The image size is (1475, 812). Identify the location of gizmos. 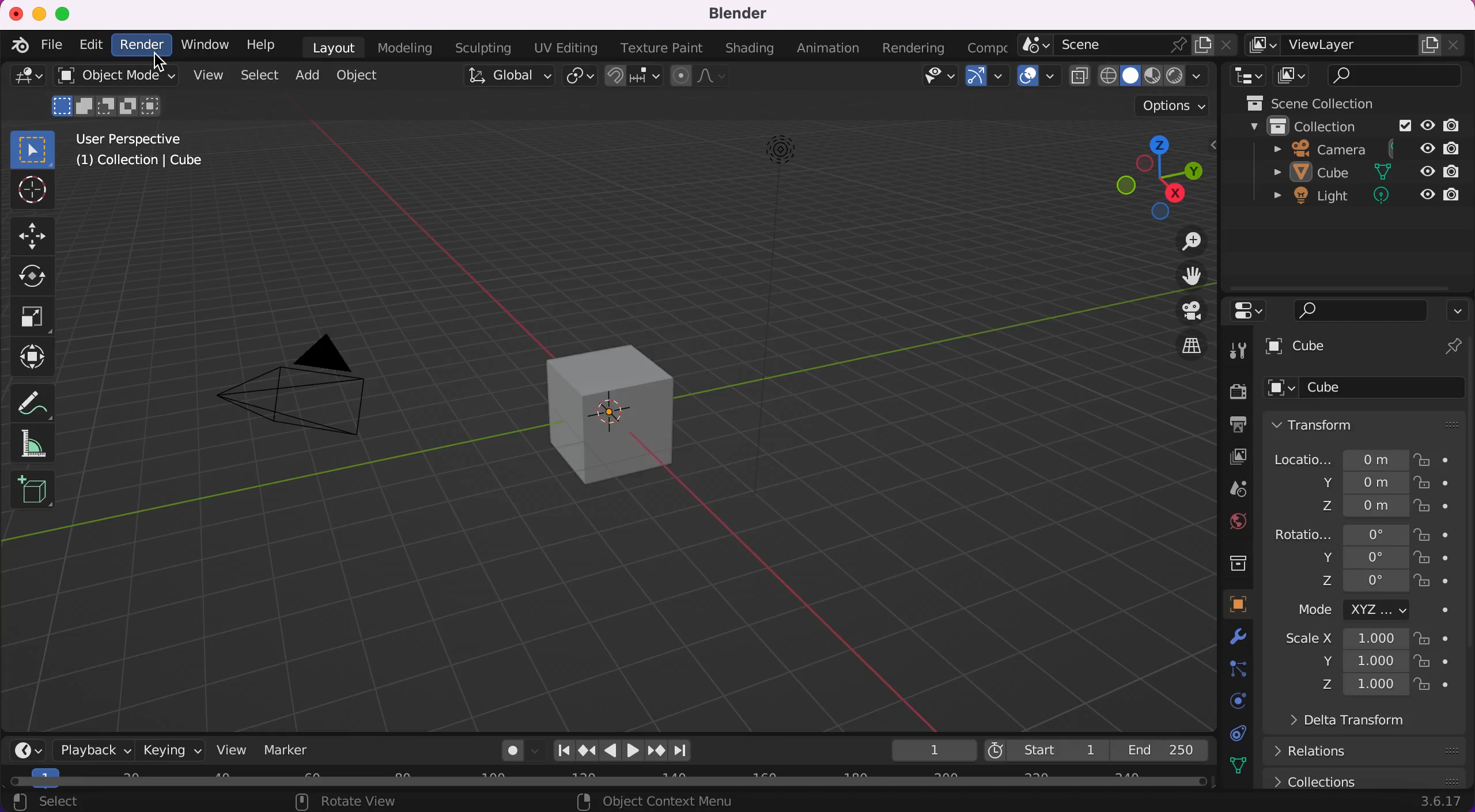
(988, 80).